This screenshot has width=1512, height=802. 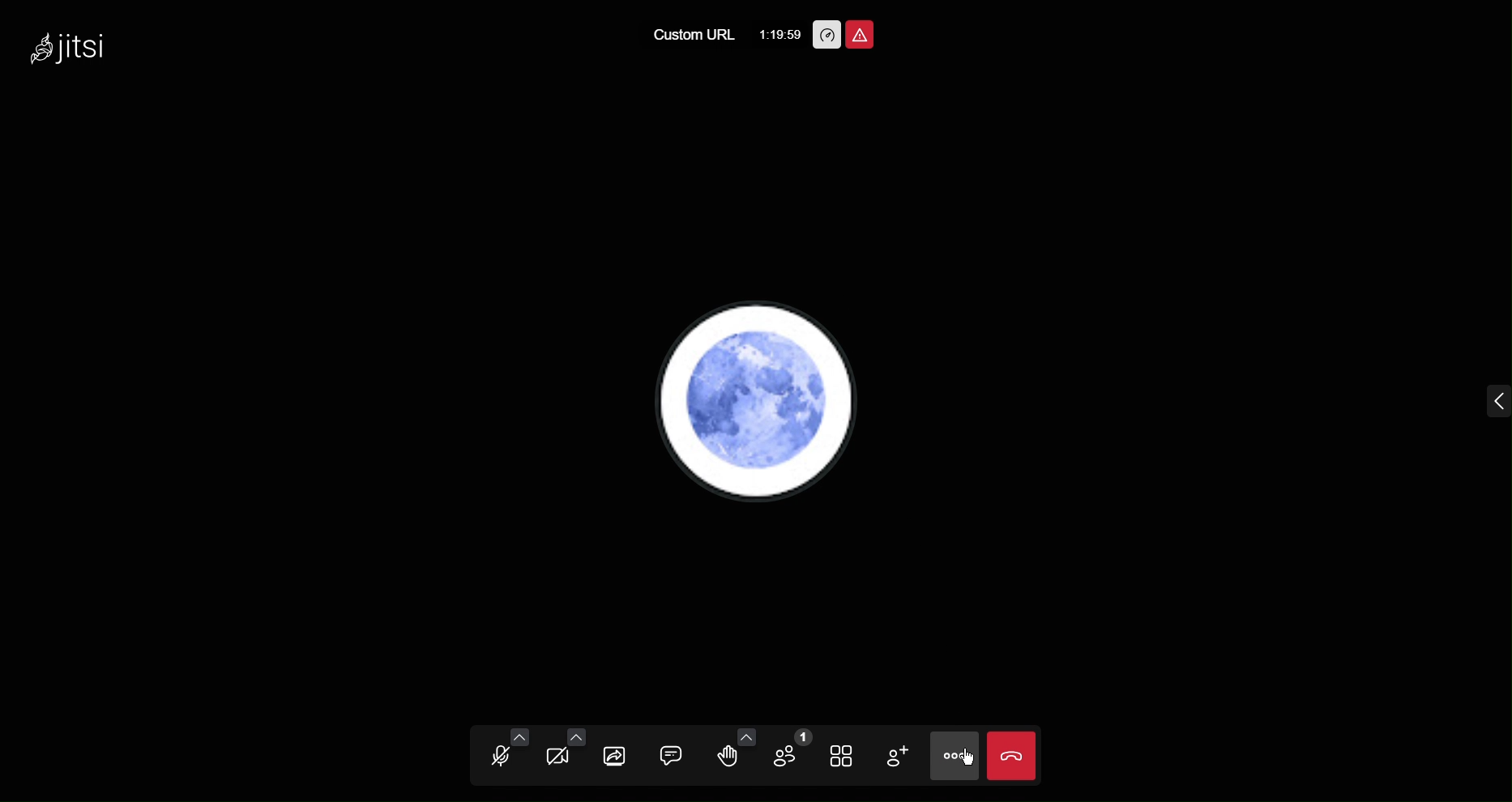 I want to click on Close Call, so click(x=1011, y=756).